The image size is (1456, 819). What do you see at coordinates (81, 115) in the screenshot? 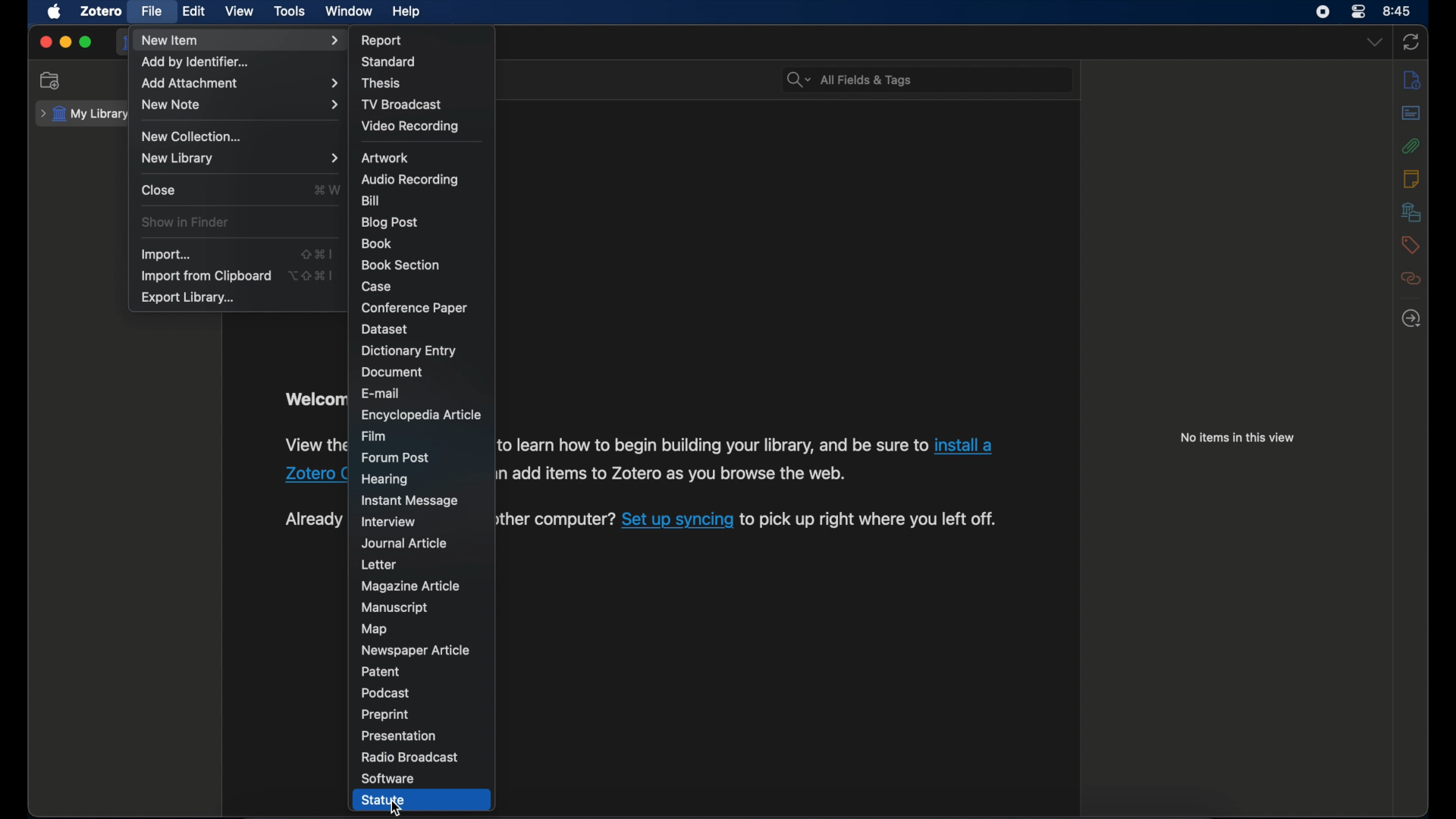
I see `my library` at bounding box center [81, 115].